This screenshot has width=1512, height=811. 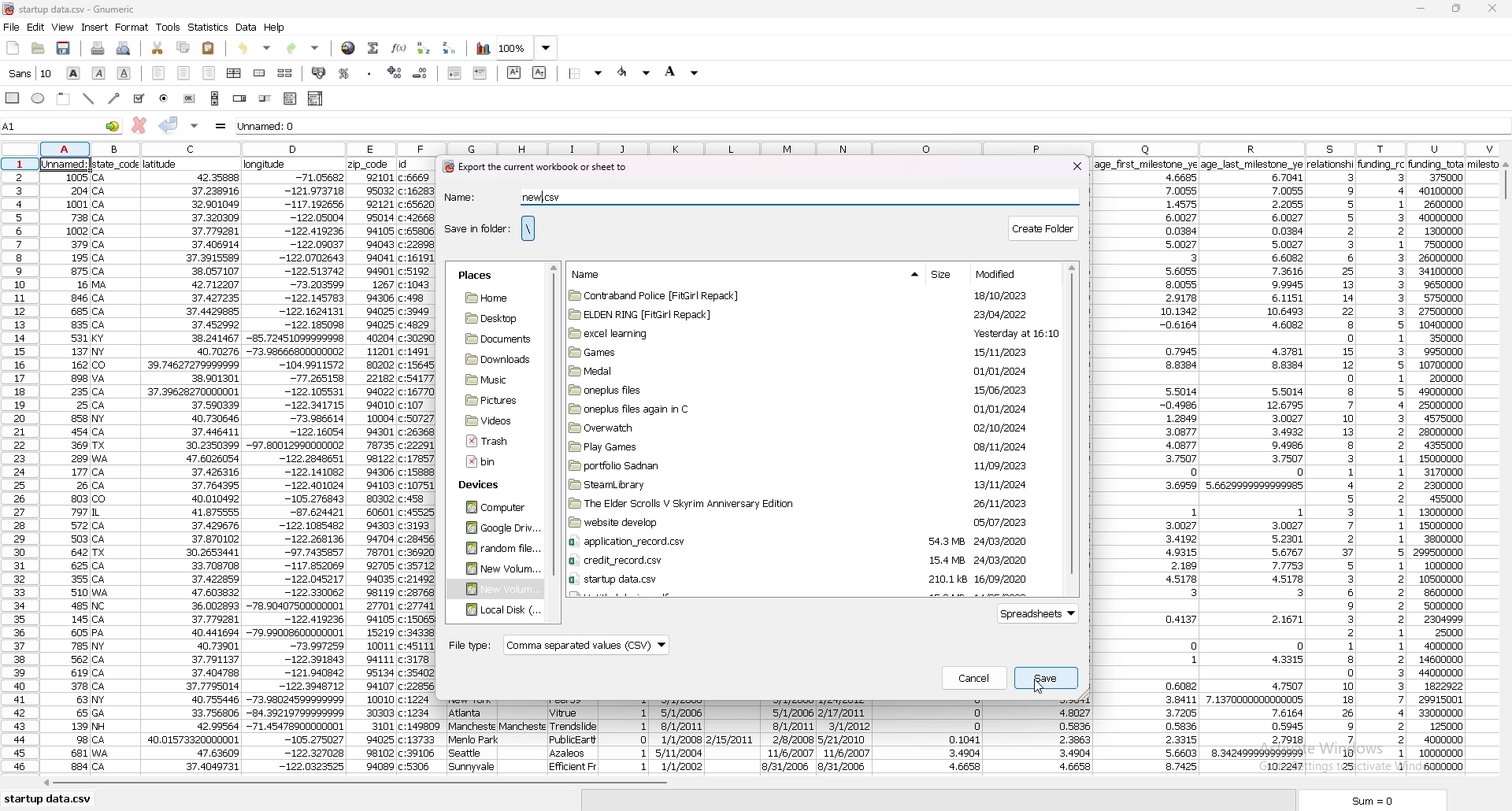 What do you see at coordinates (974, 678) in the screenshot?
I see `cancel` at bounding box center [974, 678].